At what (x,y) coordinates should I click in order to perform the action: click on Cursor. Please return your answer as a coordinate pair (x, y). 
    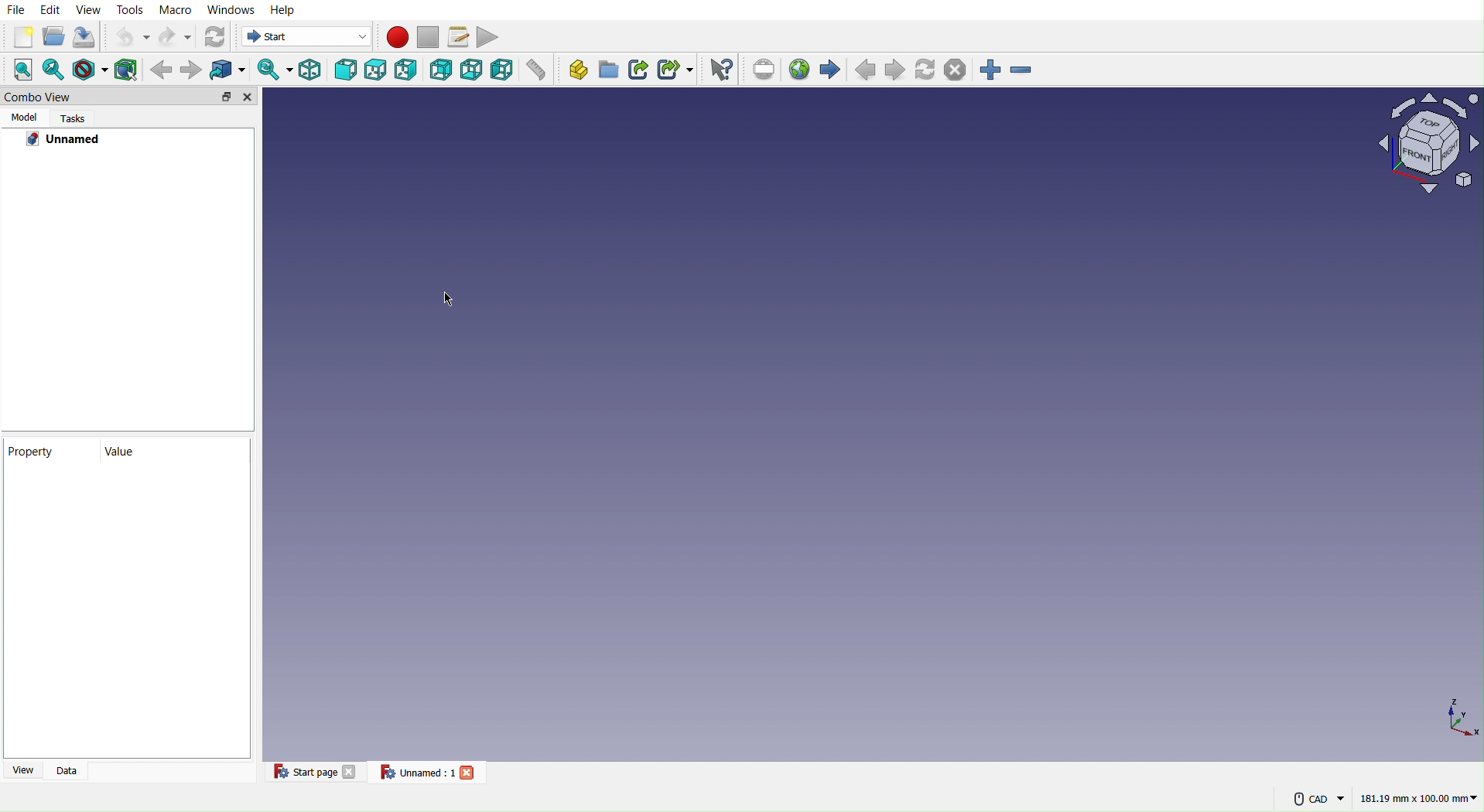
    Looking at the image, I should click on (446, 300).